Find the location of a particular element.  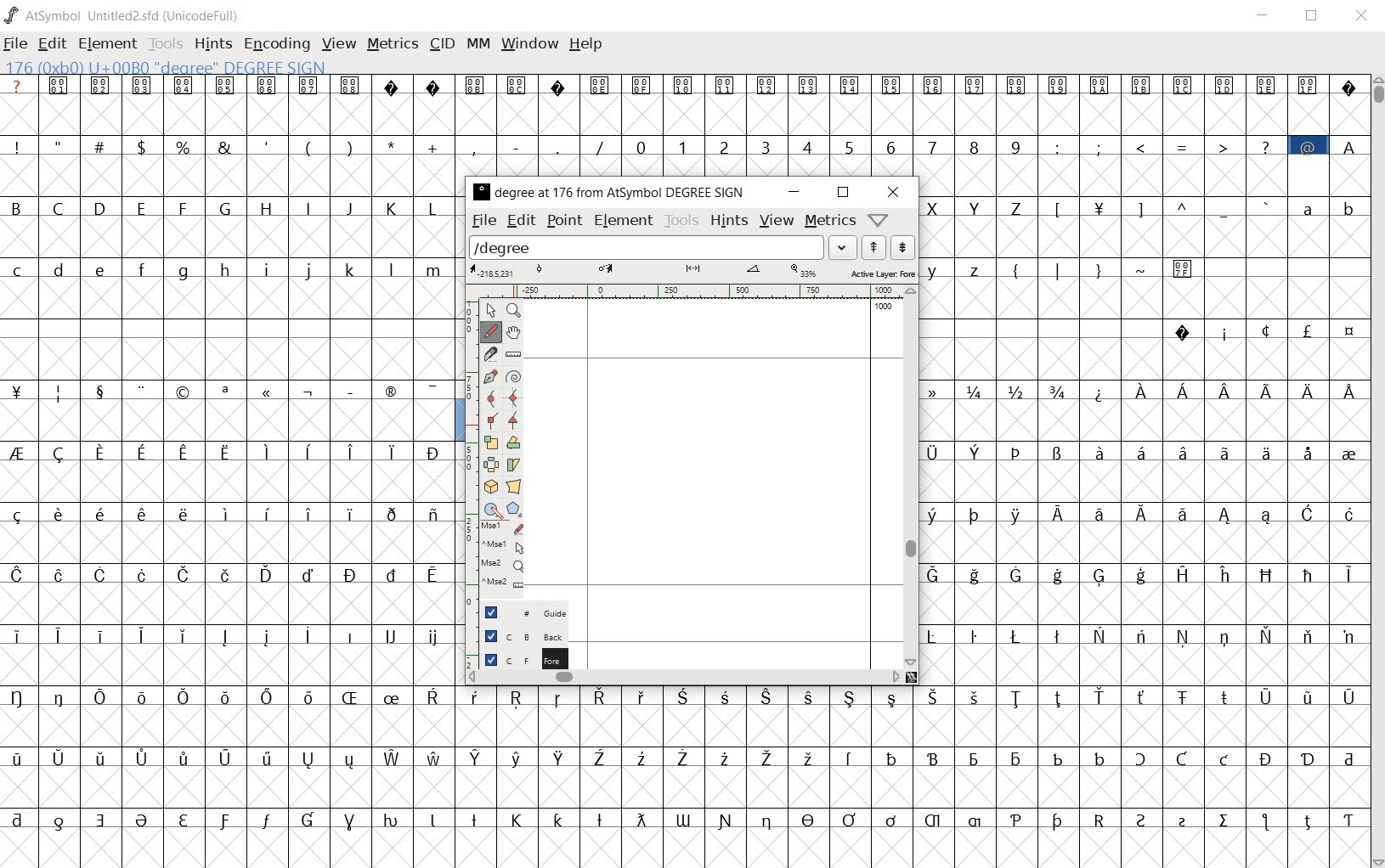

active layer: foreground is located at coordinates (692, 271).